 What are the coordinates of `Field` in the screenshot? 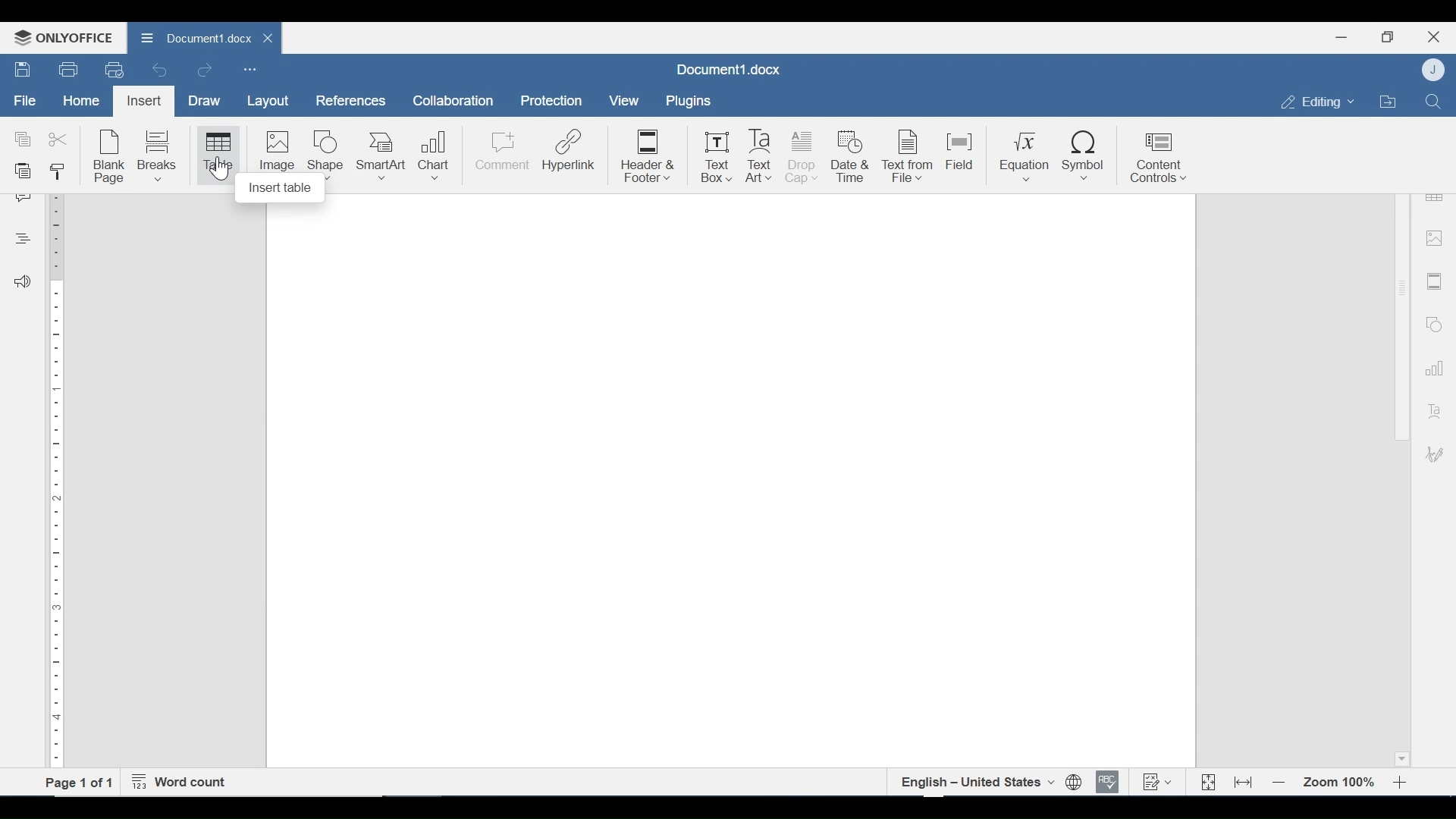 It's located at (962, 156).